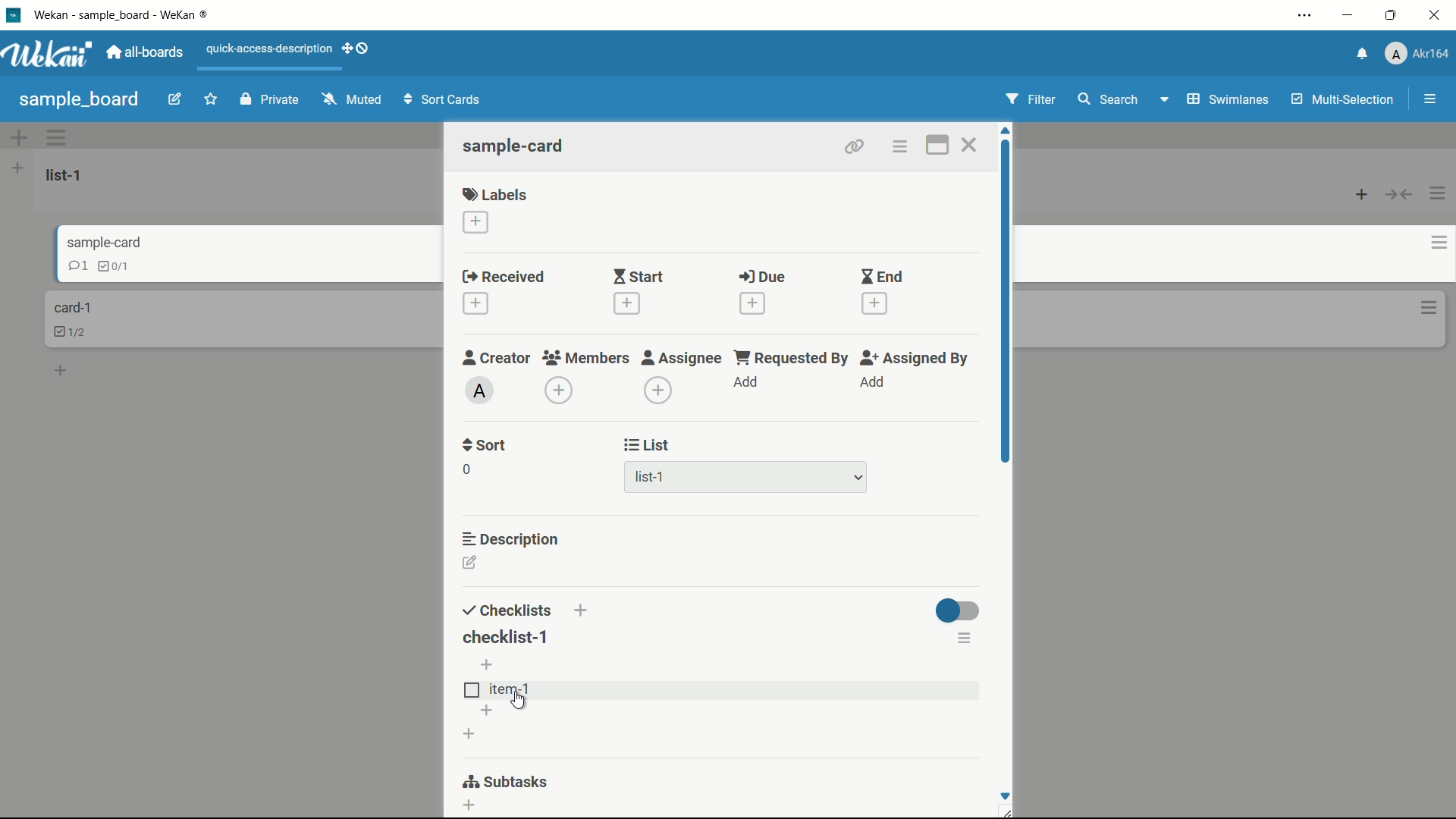  Describe the element at coordinates (67, 175) in the screenshot. I see `list name` at that location.